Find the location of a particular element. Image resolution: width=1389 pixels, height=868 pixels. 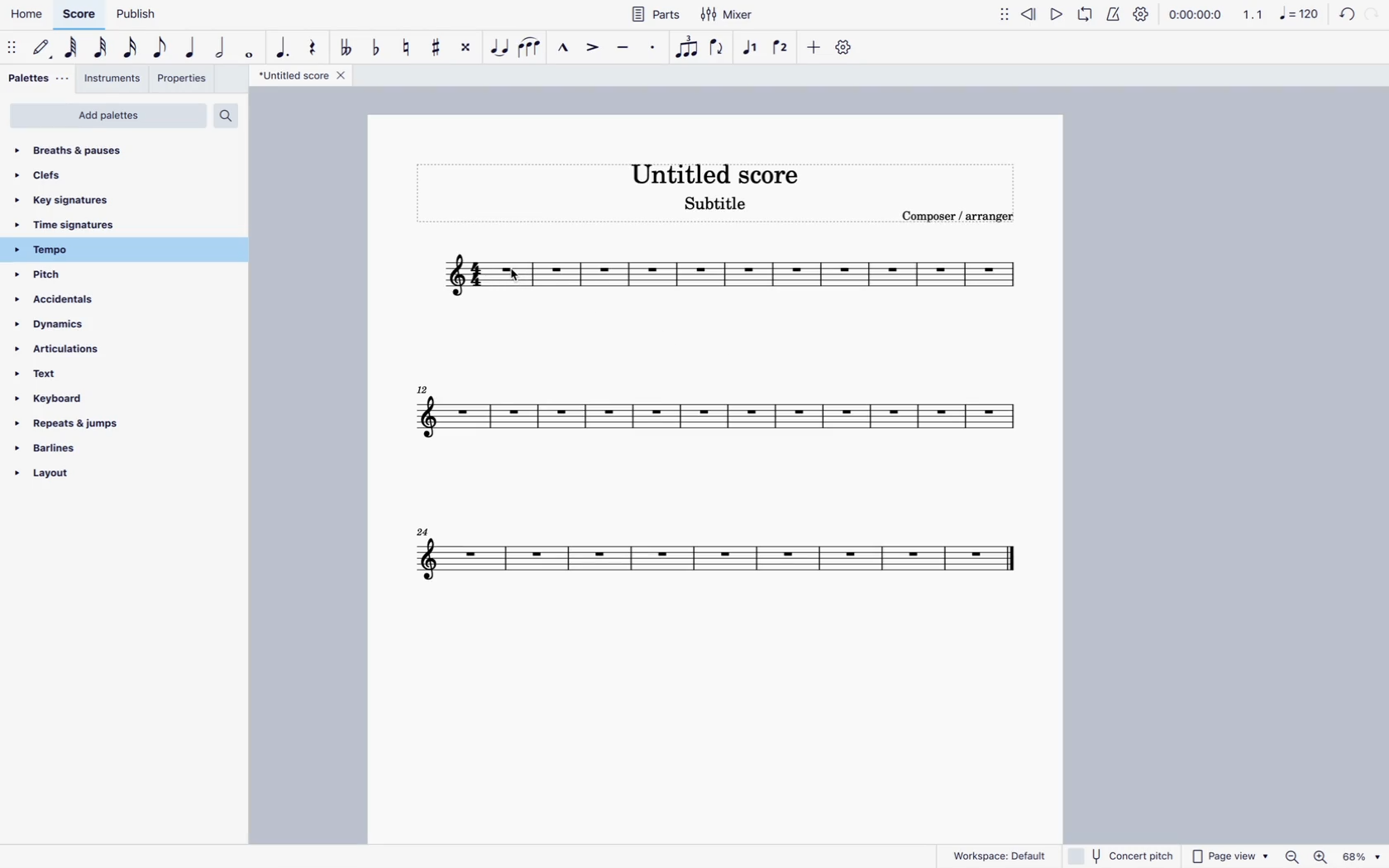

publish is located at coordinates (136, 15).